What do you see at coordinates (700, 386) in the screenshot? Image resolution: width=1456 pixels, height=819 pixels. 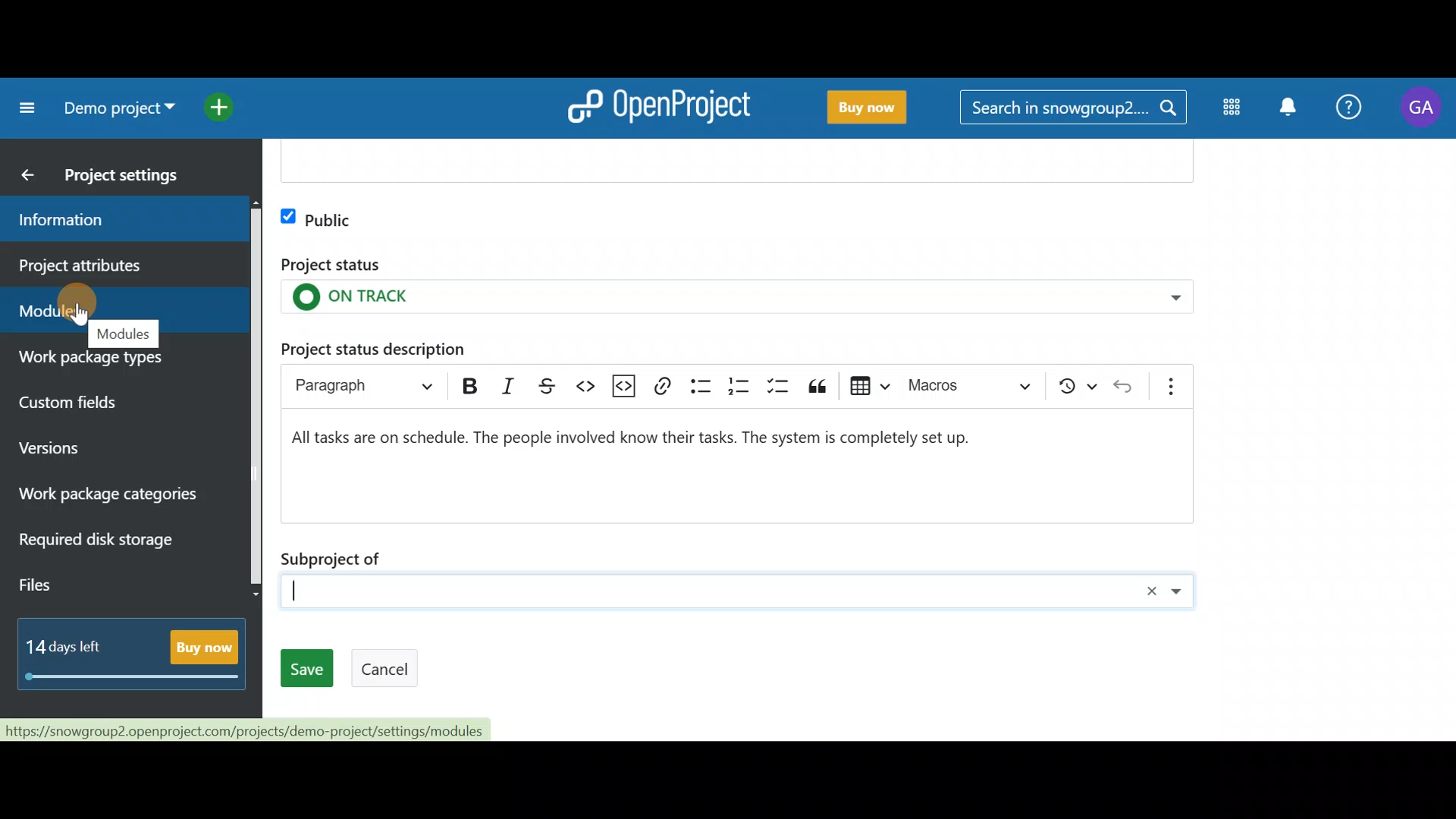 I see `Bulleted list` at bounding box center [700, 386].